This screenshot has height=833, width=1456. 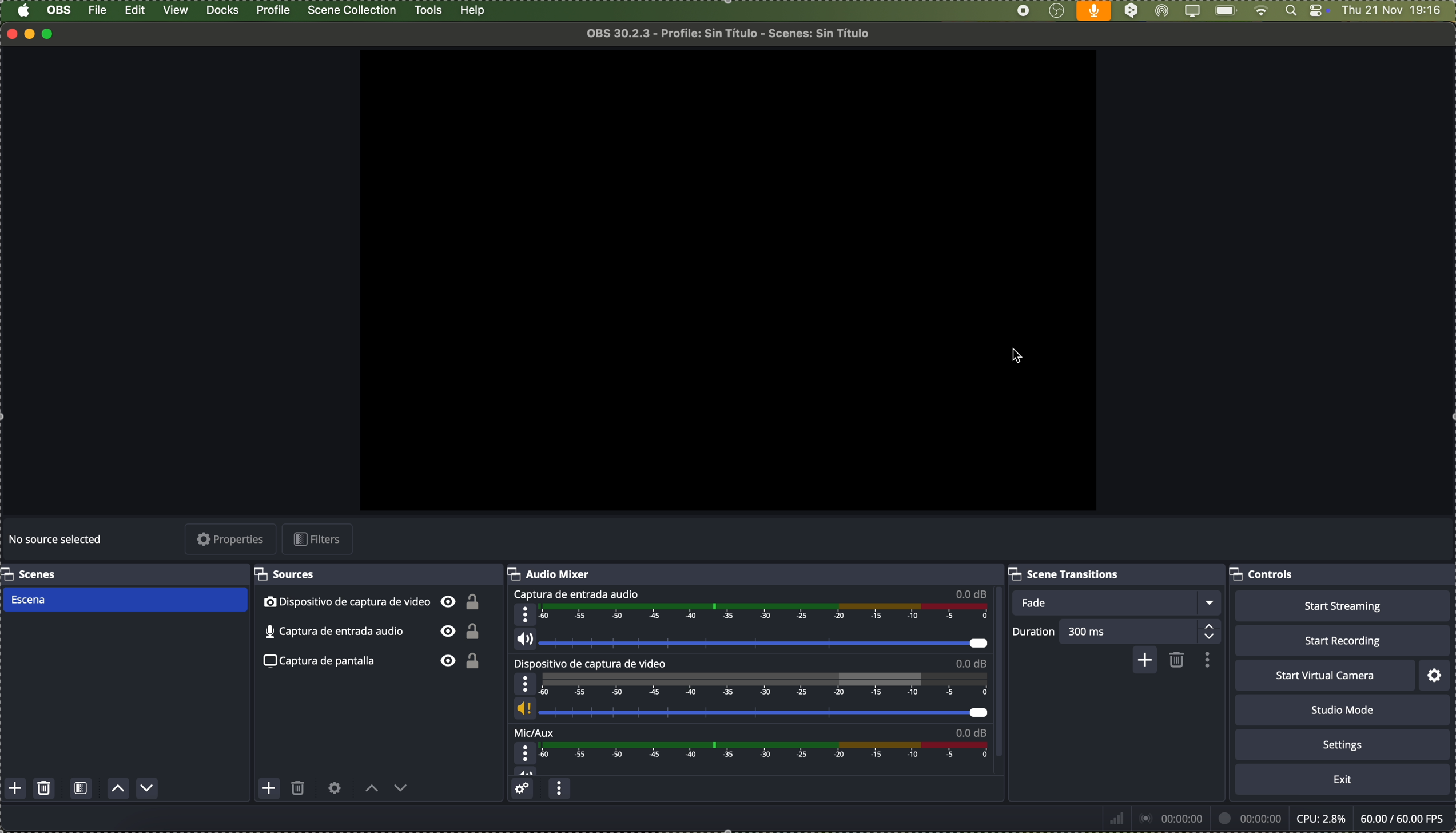 I want to click on video capture device, so click(x=751, y=691).